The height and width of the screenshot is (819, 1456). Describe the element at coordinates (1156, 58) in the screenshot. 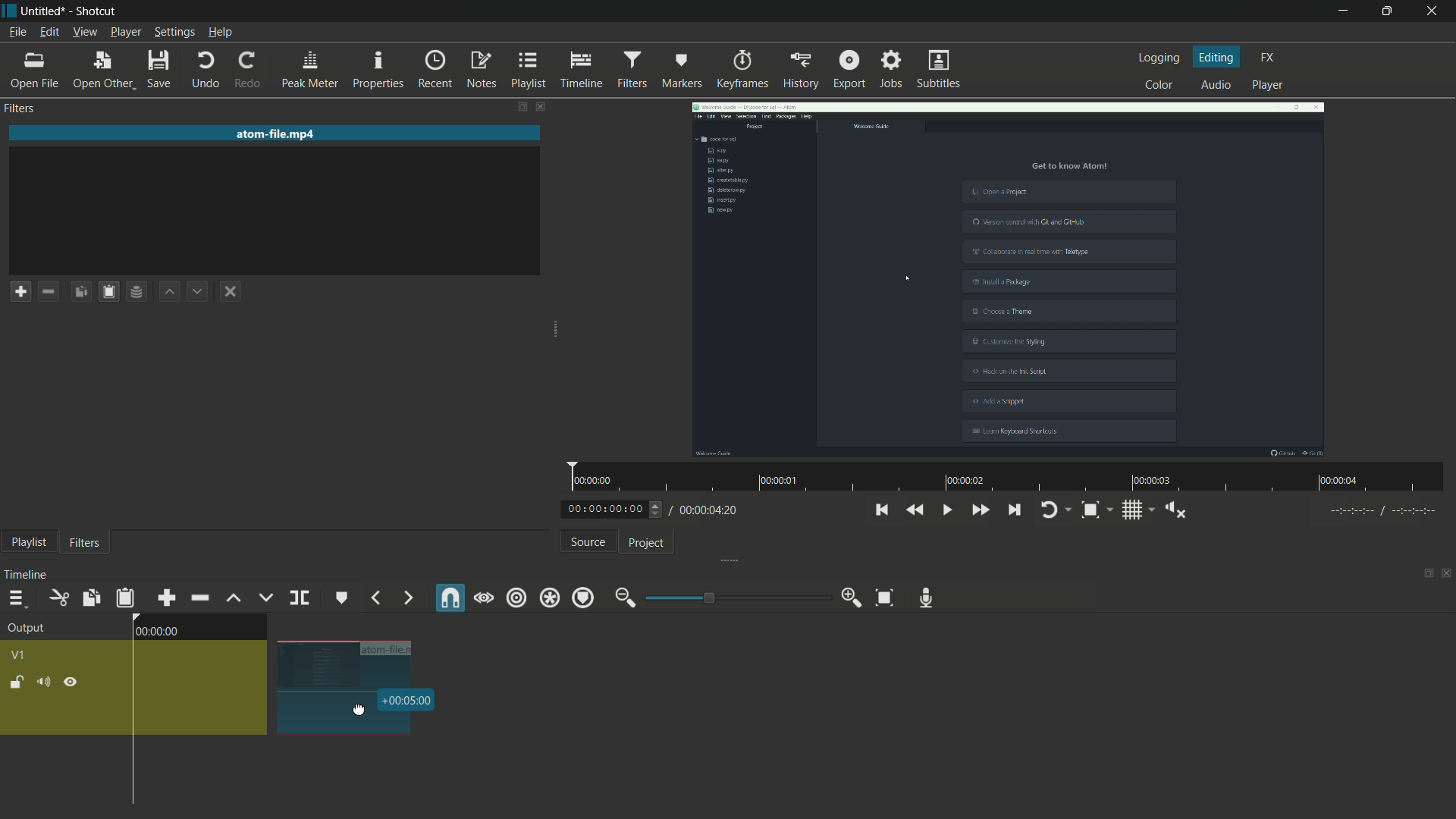

I see `logging` at that location.